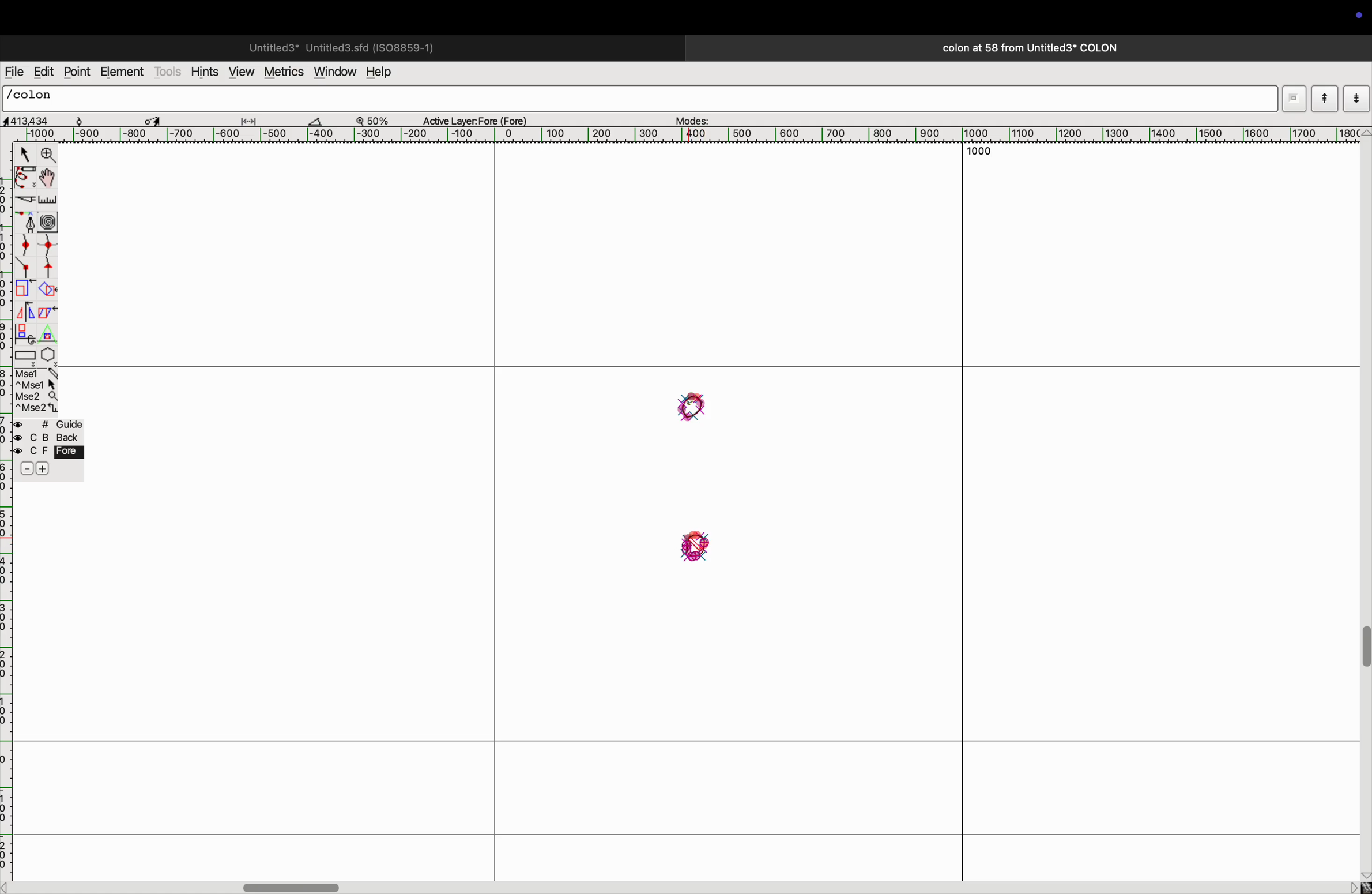 The image size is (1372, 894). Describe the element at coordinates (122, 73) in the screenshot. I see `element` at that location.